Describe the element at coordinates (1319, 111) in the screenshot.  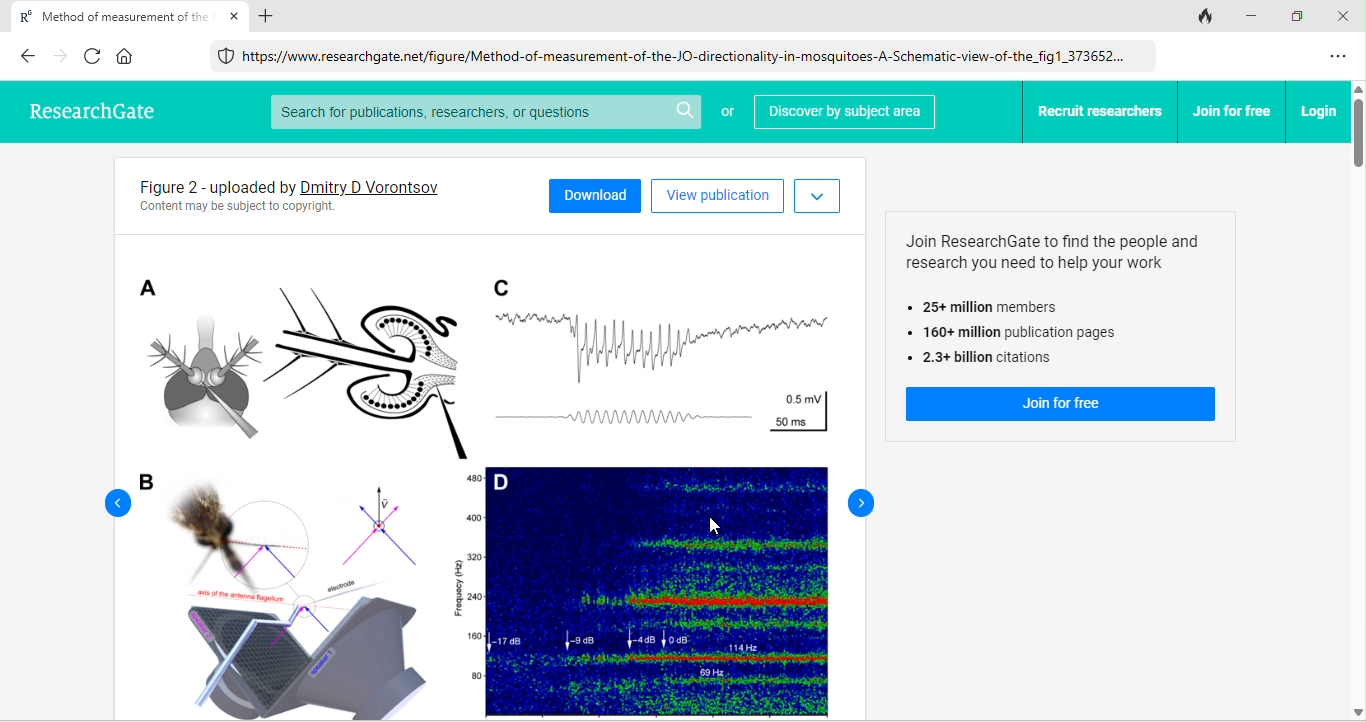
I see `log in` at that location.